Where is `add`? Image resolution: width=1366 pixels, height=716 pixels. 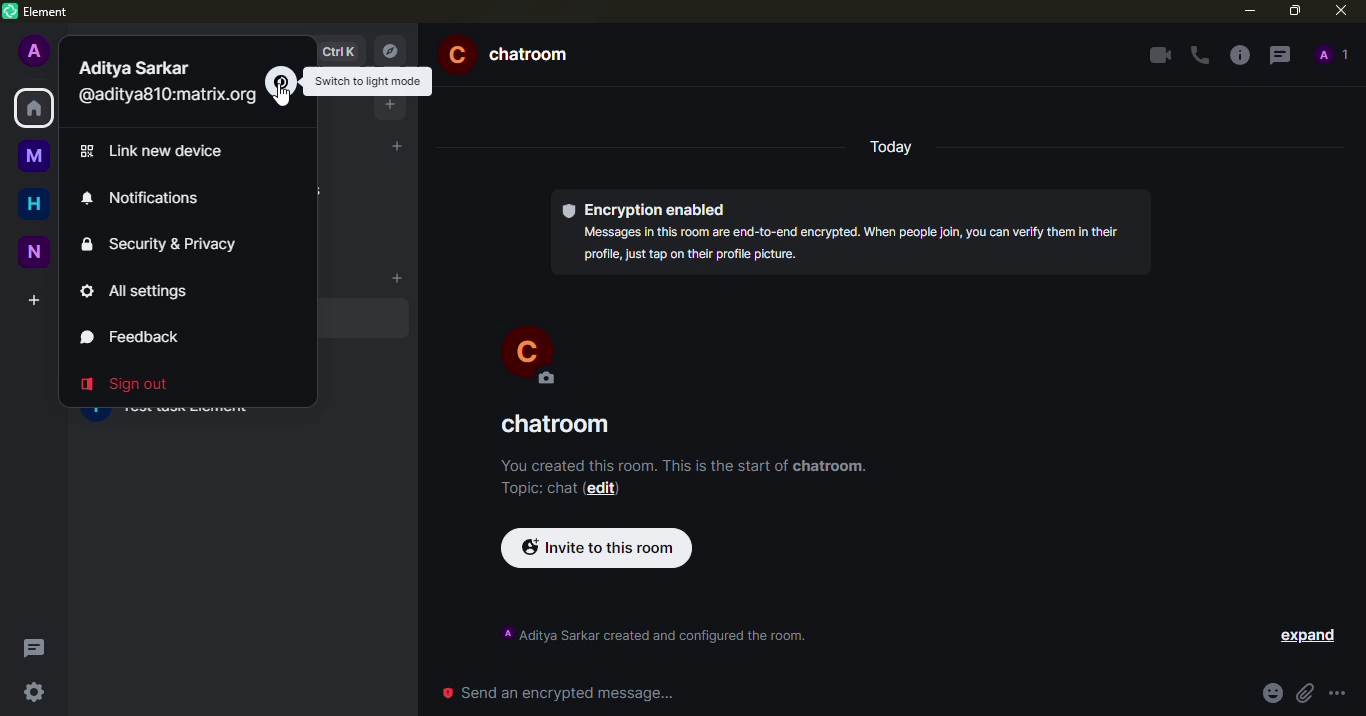 add is located at coordinates (392, 105).